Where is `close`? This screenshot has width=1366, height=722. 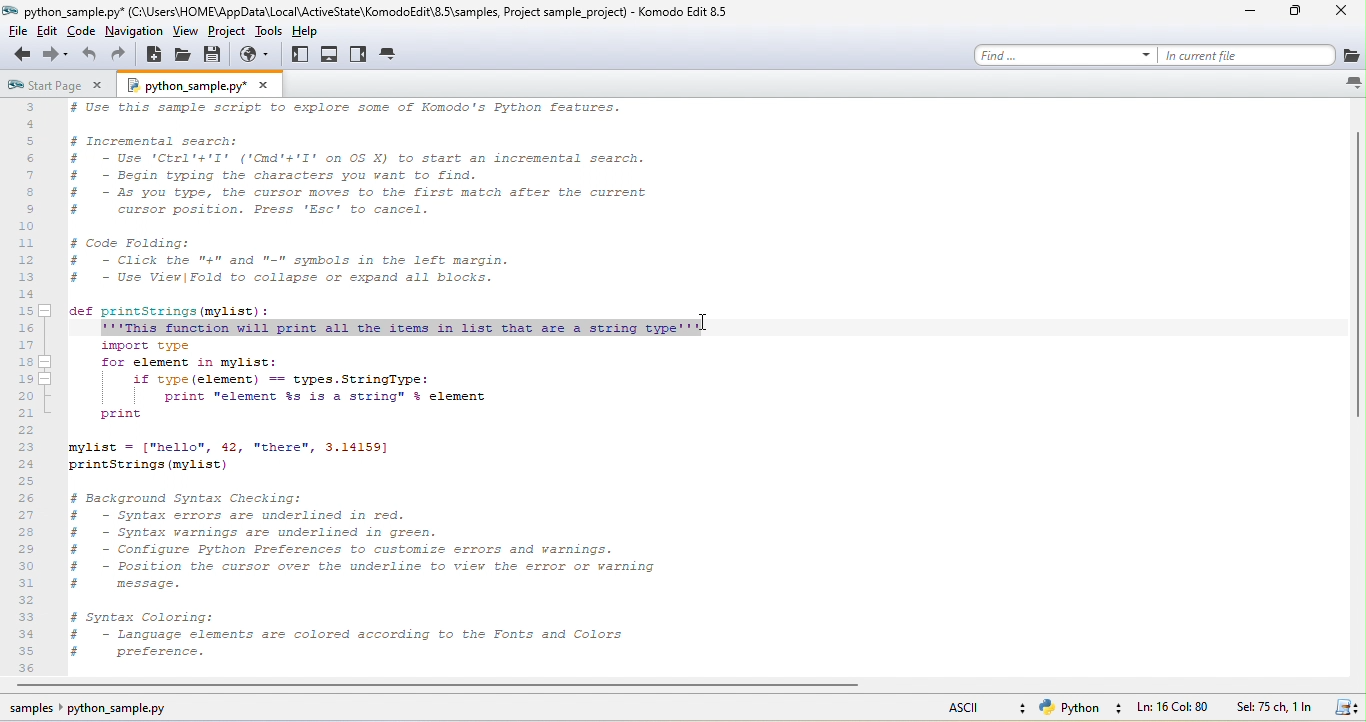 close is located at coordinates (264, 85).